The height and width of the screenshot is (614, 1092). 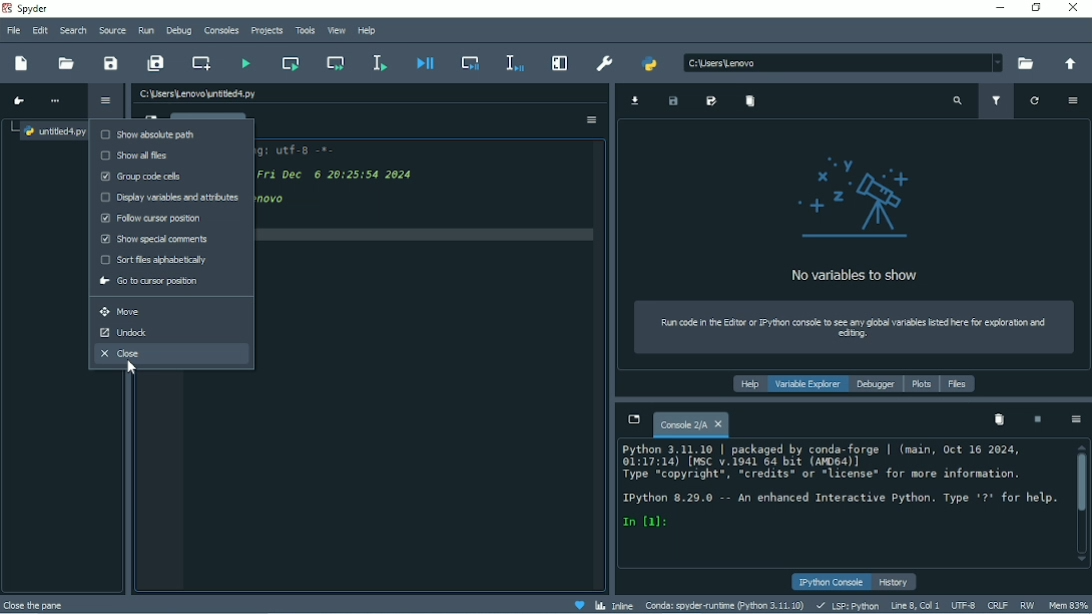 What do you see at coordinates (860, 199) in the screenshot?
I see `logo` at bounding box center [860, 199].